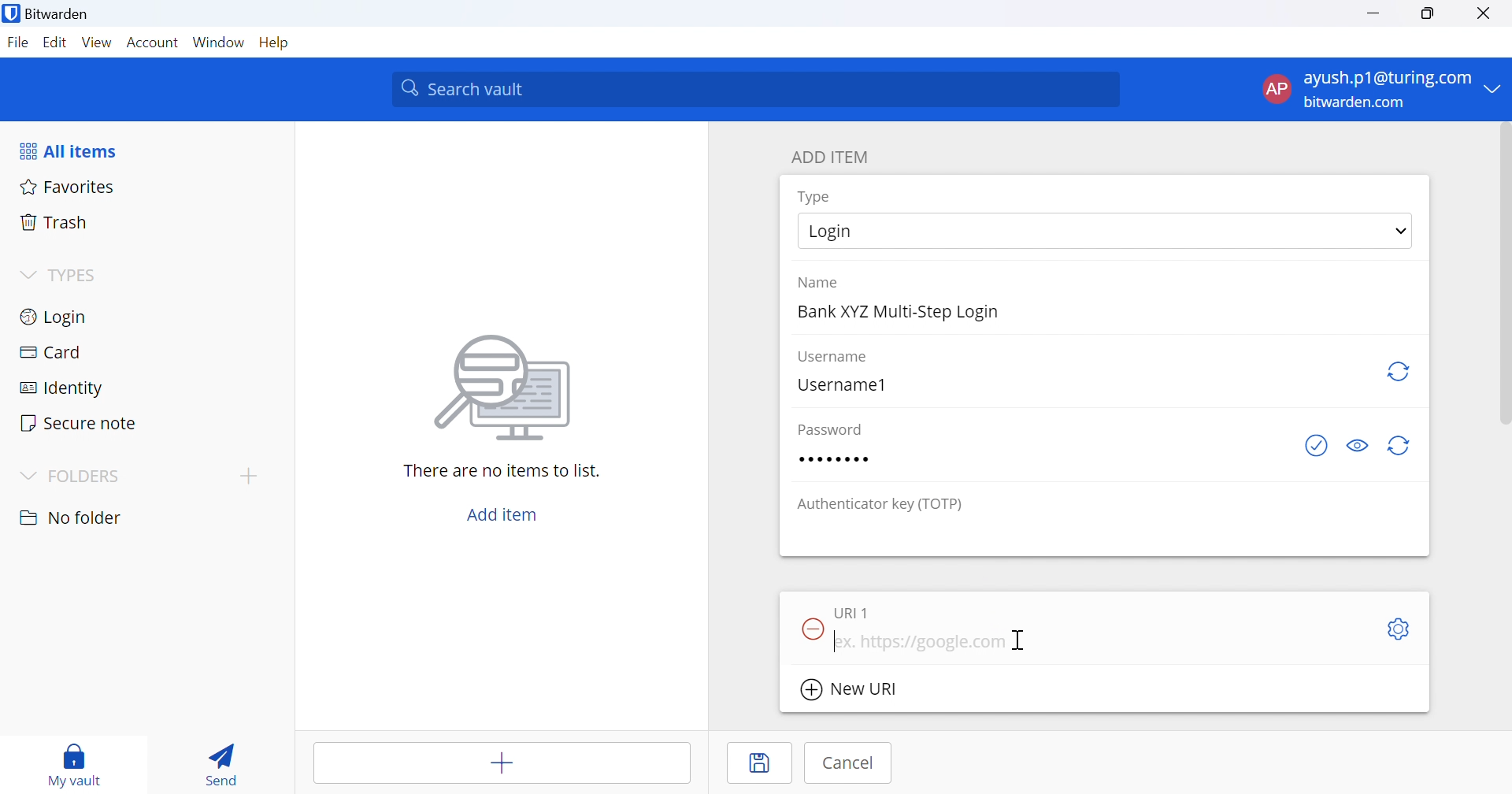 This screenshot has width=1512, height=794. Describe the element at coordinates (505, 388) in the screenshot. I see `Image` at that location.